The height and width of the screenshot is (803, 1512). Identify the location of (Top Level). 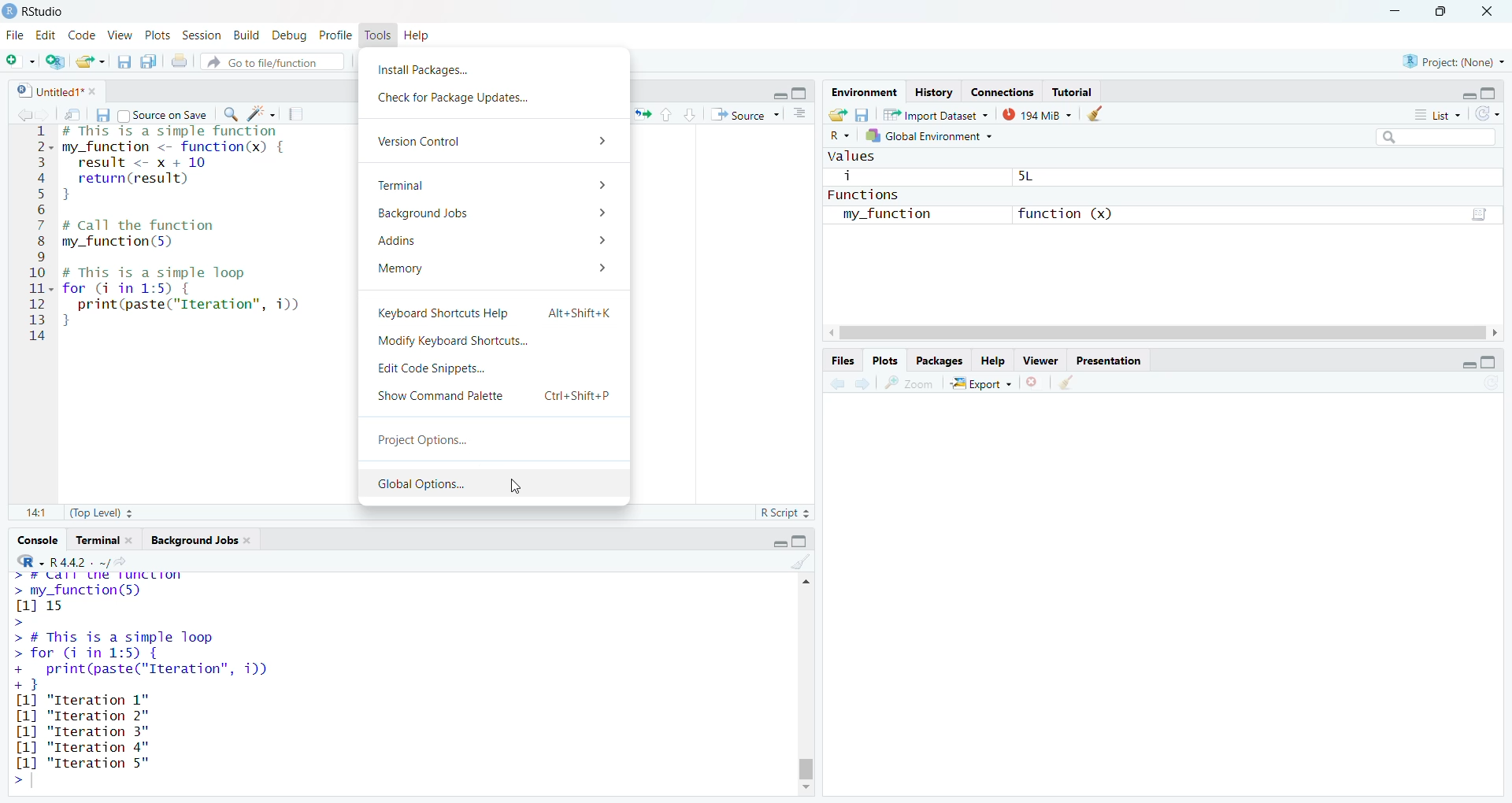
(99, 515).